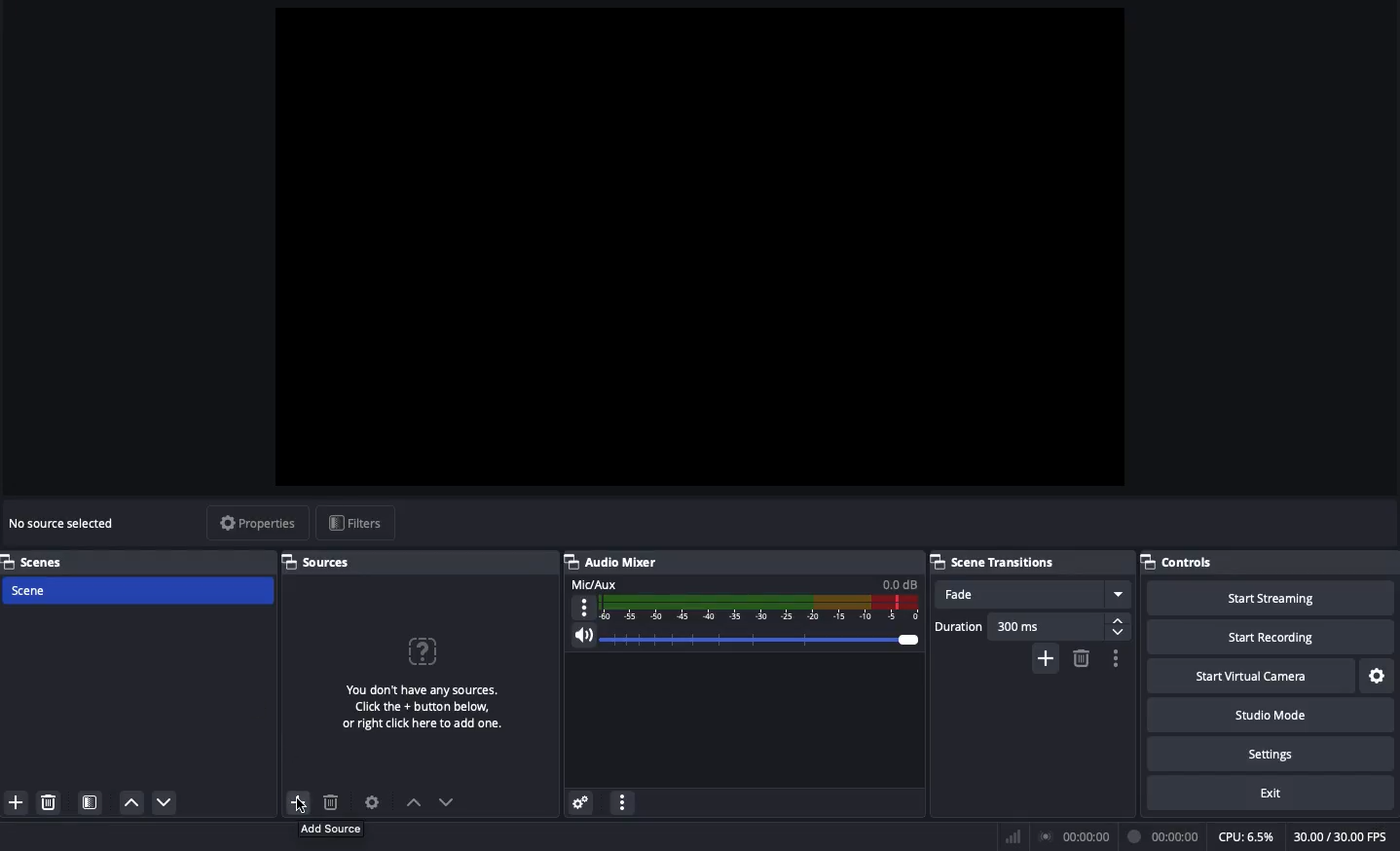 Image resolution: width=1400 pixels, height=851 pixels. I want to click on Audio mixer, so click(615, 562).